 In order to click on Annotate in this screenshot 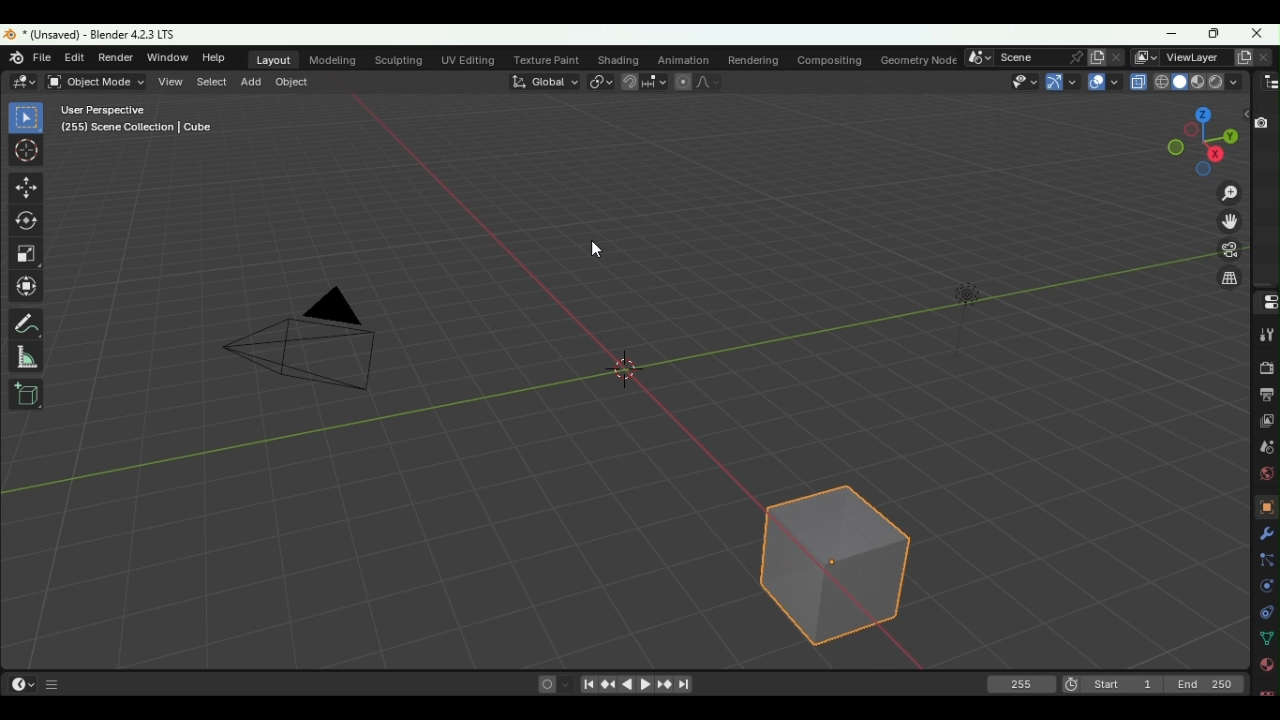, I will do `click(30, 323)`.